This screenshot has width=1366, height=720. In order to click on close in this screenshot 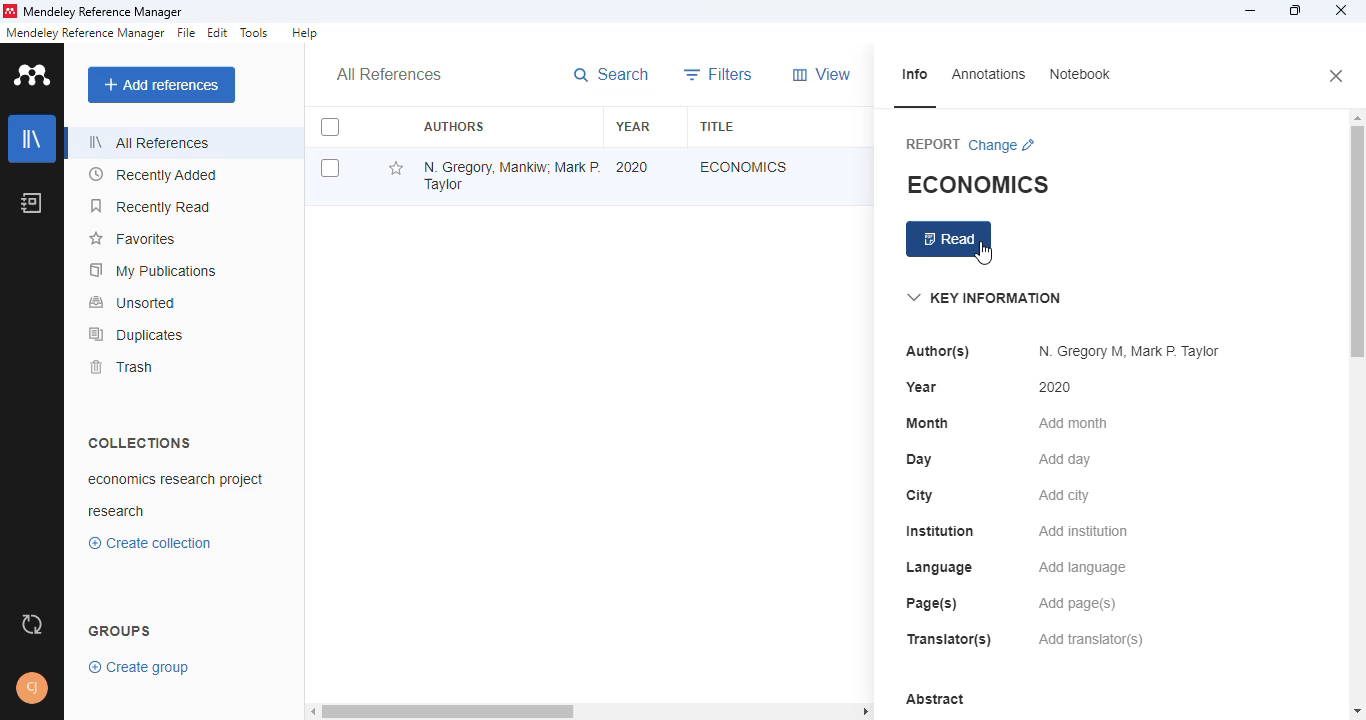, I will do `click(1337, 76)`.